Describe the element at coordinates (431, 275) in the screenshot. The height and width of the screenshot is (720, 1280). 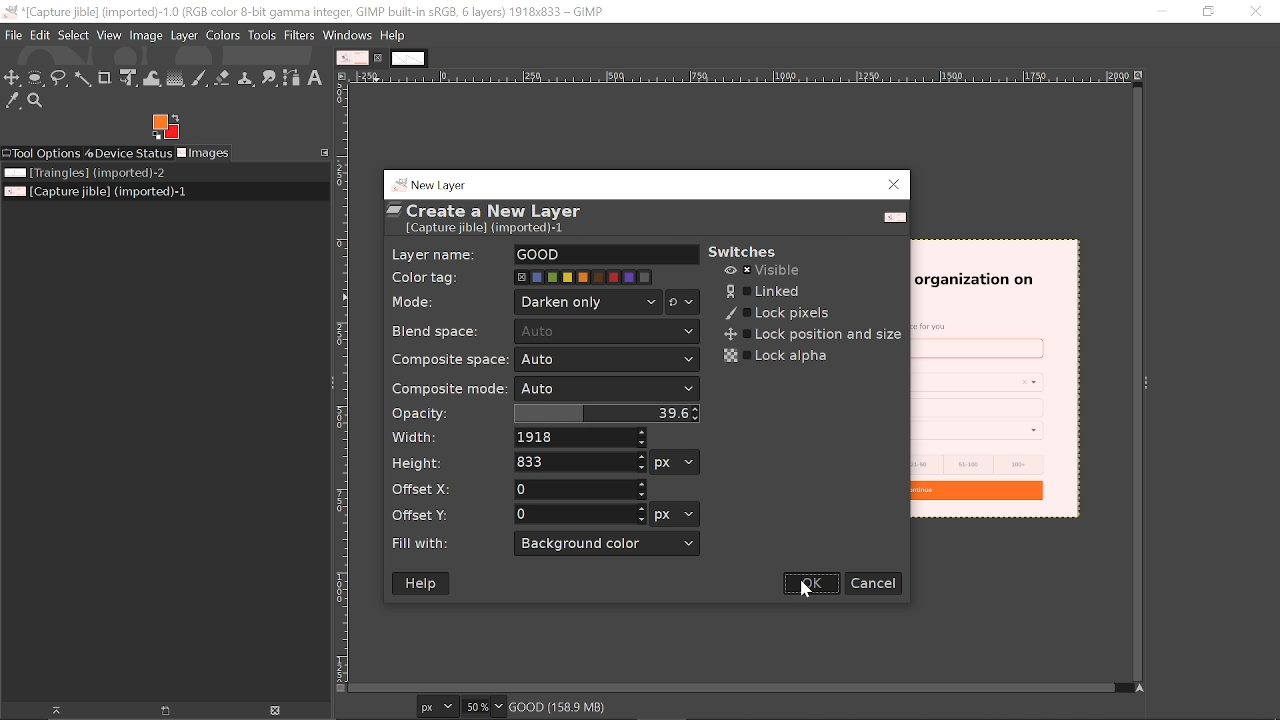
I see `Color tag:` at that location.